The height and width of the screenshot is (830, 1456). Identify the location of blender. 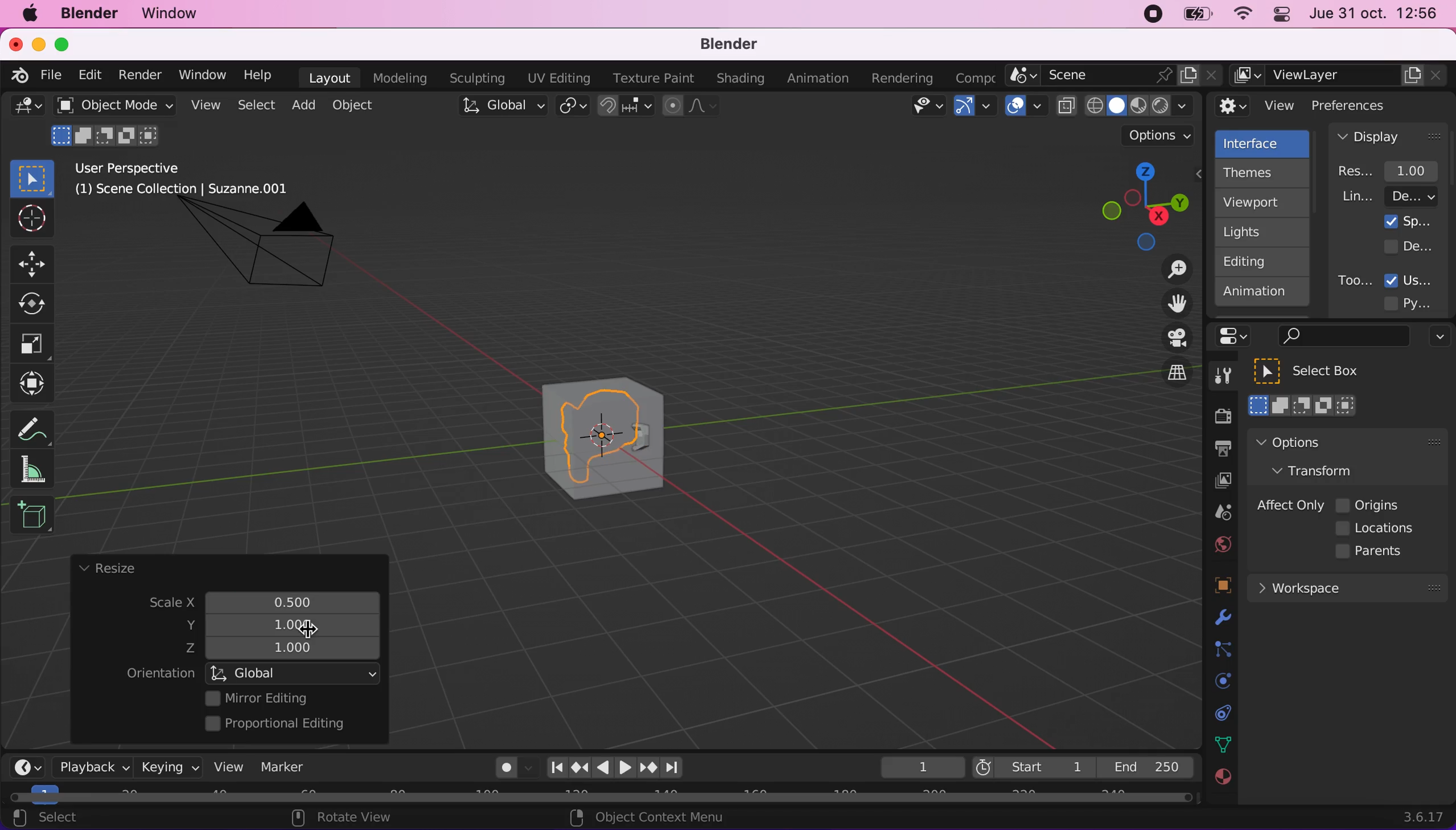
(88, 14).